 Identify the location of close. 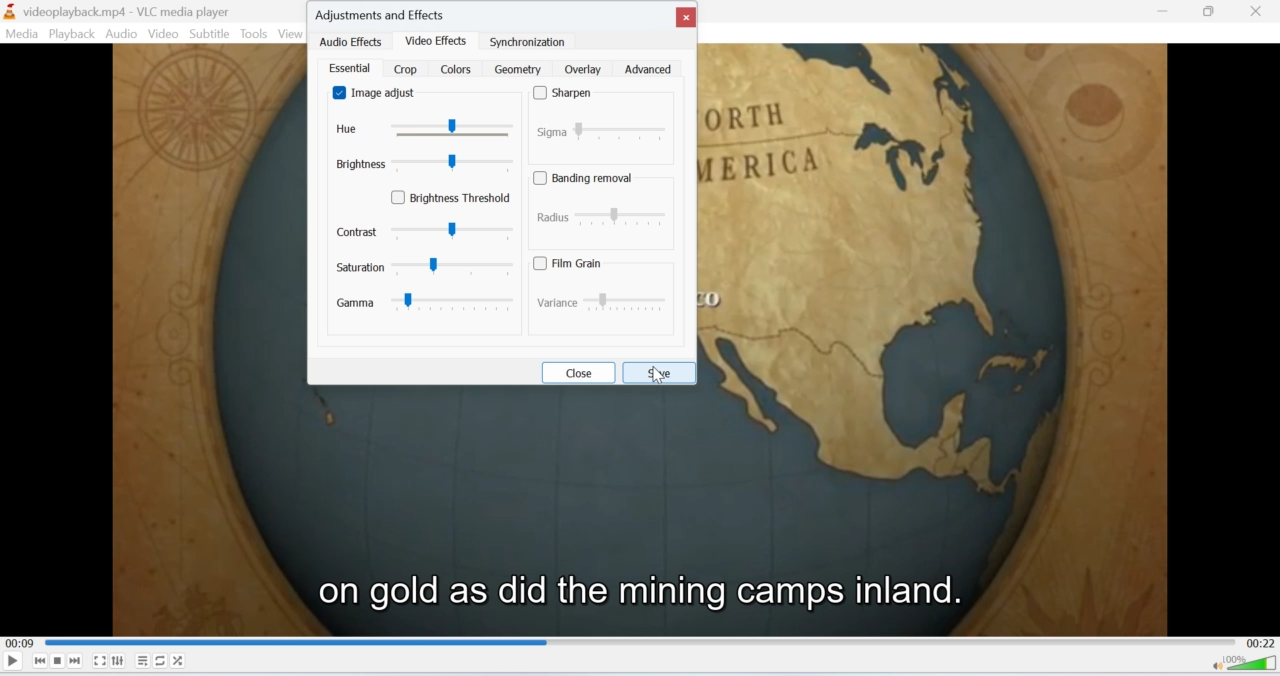
(578, 371).